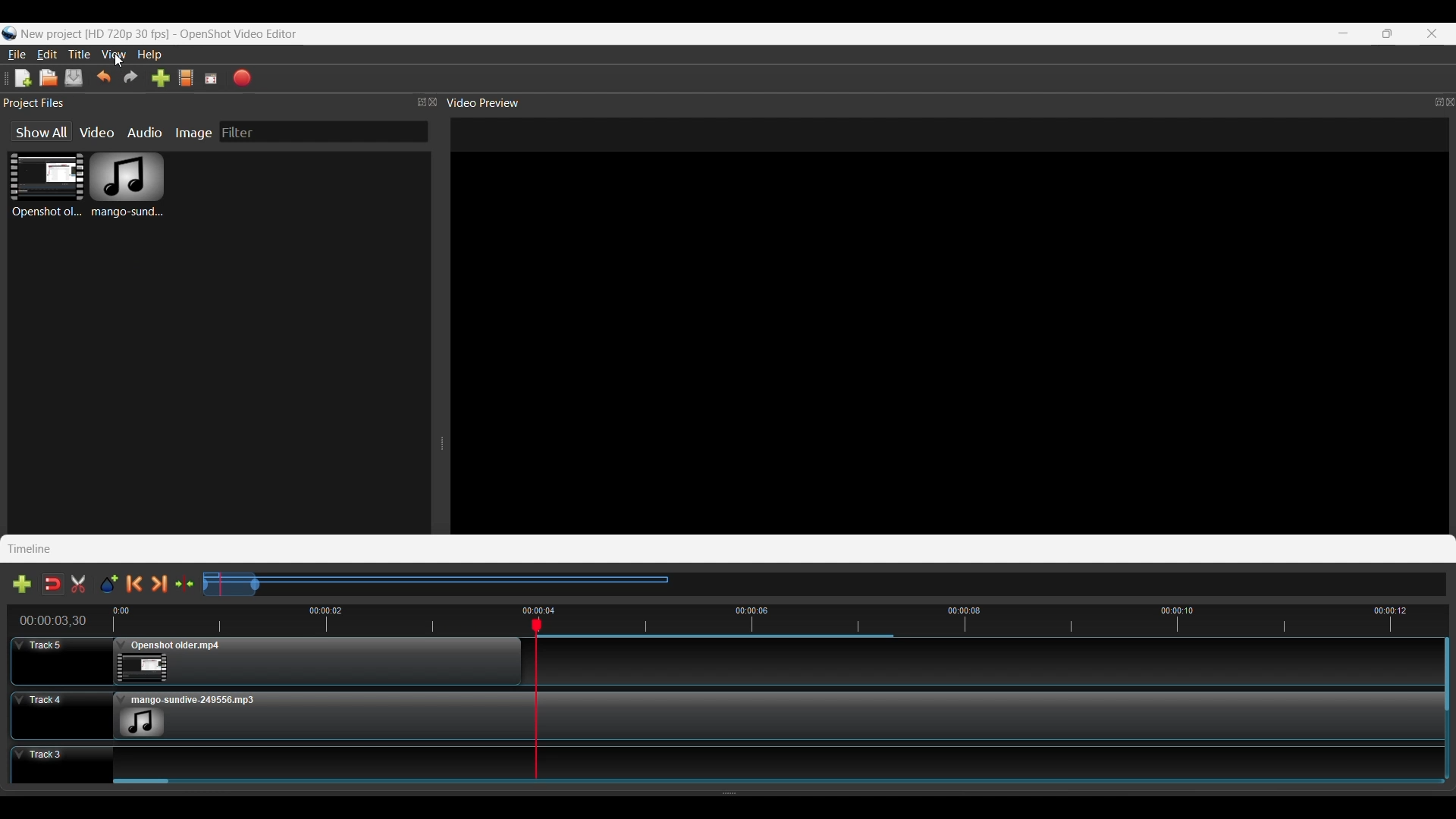 The height and width of the screenshot is (819, 1456). Describe the element at coordinates (719, 761) in the screenshot. I see `Track 3` at that location.